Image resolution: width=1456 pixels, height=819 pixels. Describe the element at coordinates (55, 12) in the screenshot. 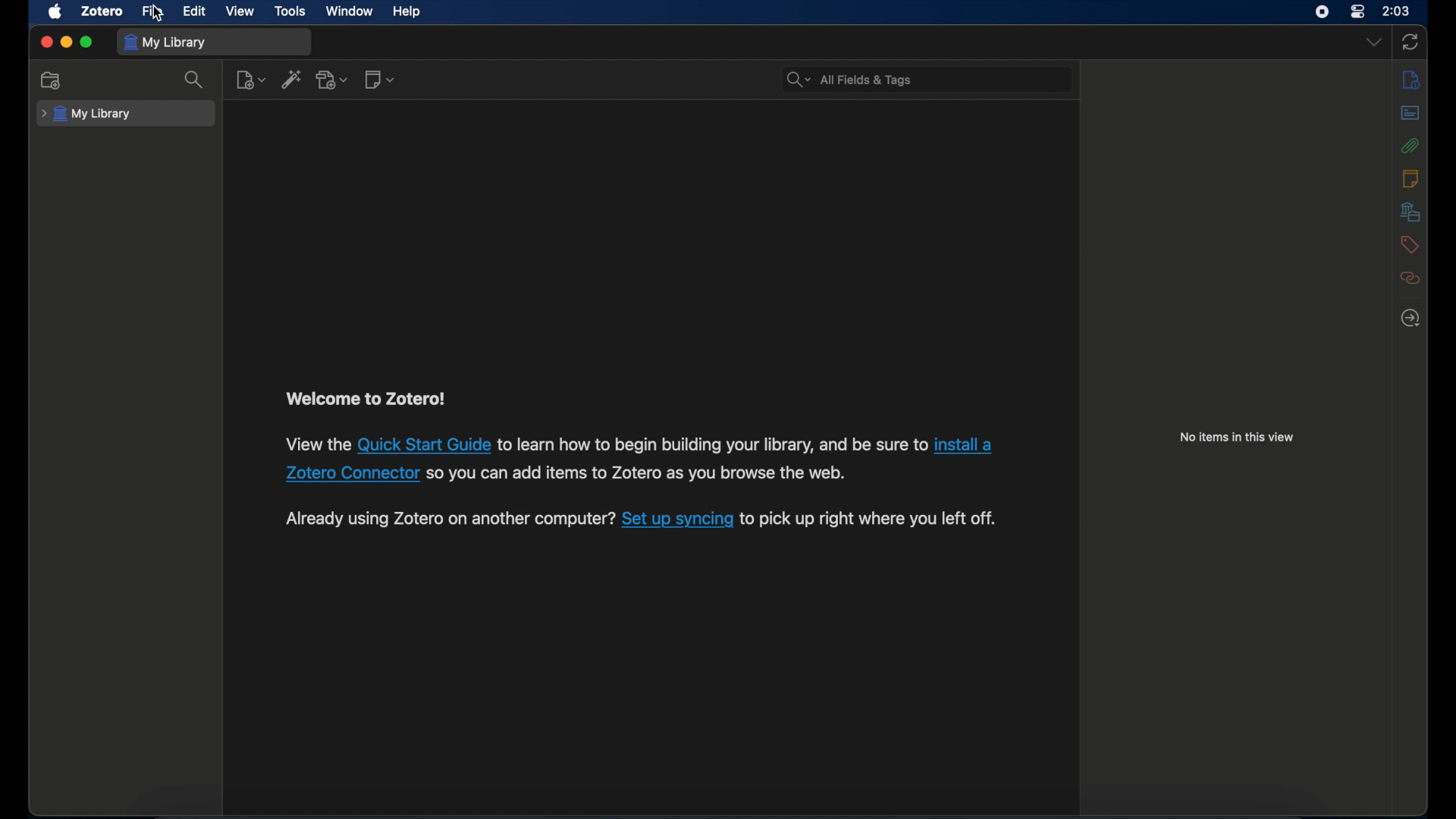

I see `apple` at that location.